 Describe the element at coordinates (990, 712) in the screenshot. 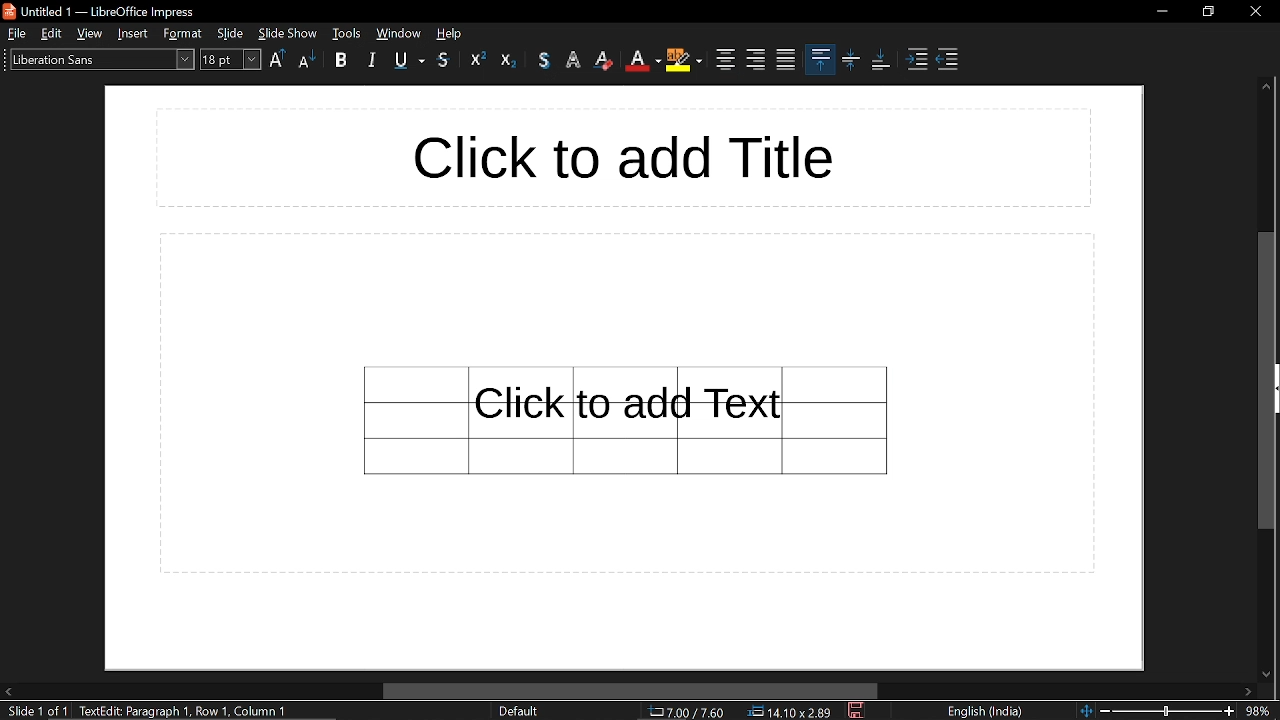

I see `language` at that location.